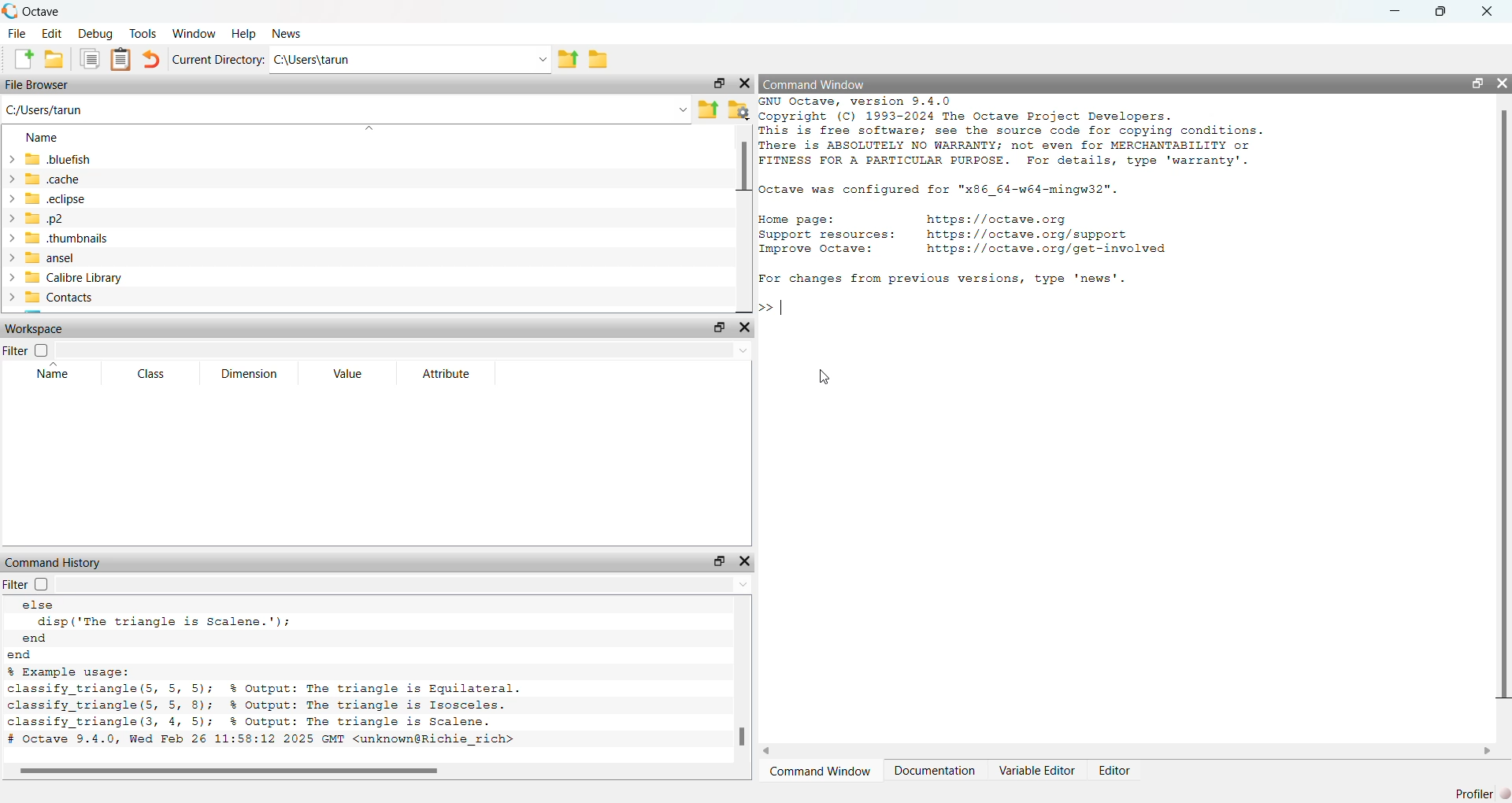 The width and height of the screenshot is (1512, 803). What do you see at coordinates (353, 374) in the screenshot?
I see `value` at bounding box center [353, 374].